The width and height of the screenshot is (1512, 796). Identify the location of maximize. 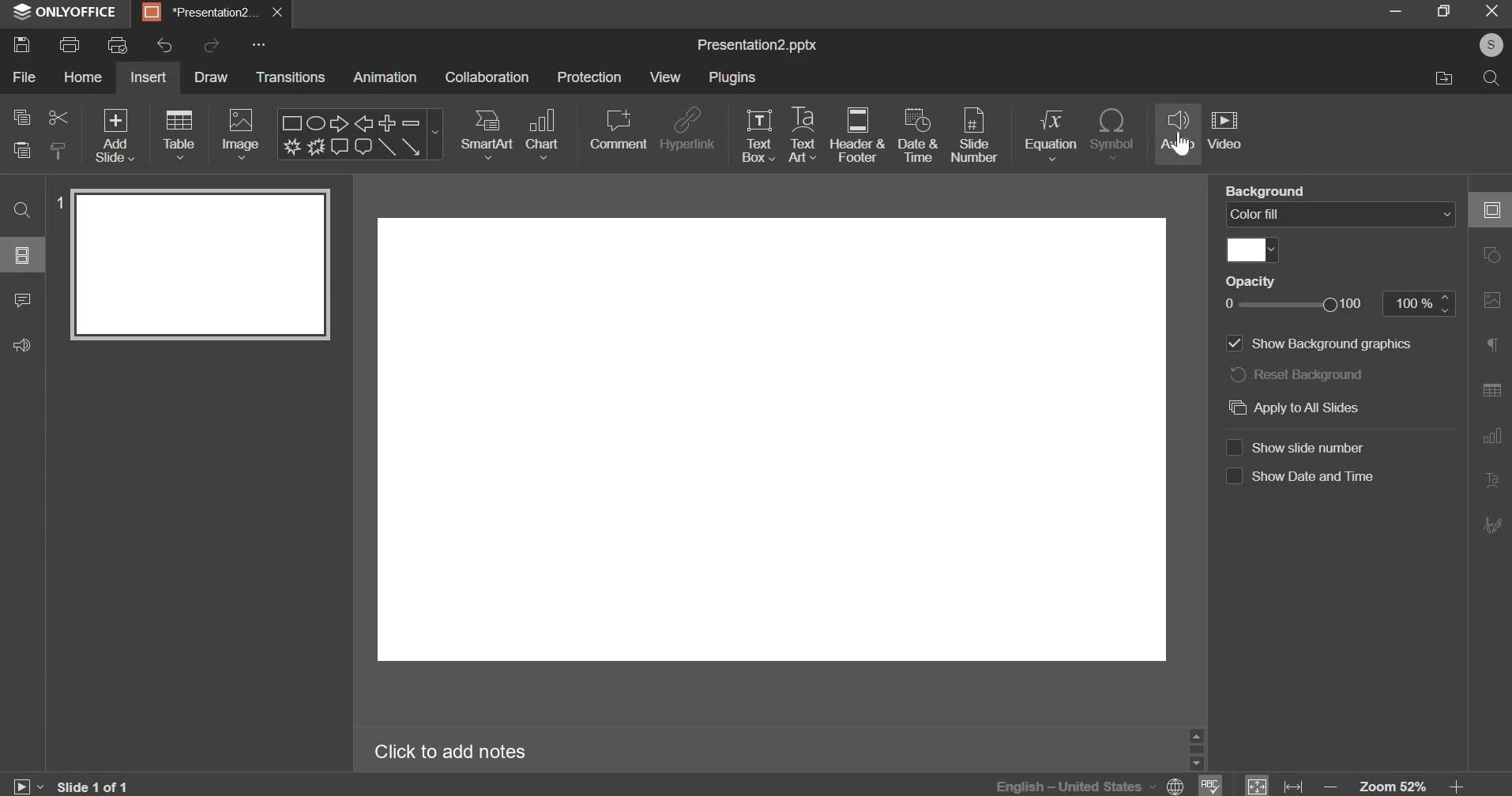
(1442, 12).